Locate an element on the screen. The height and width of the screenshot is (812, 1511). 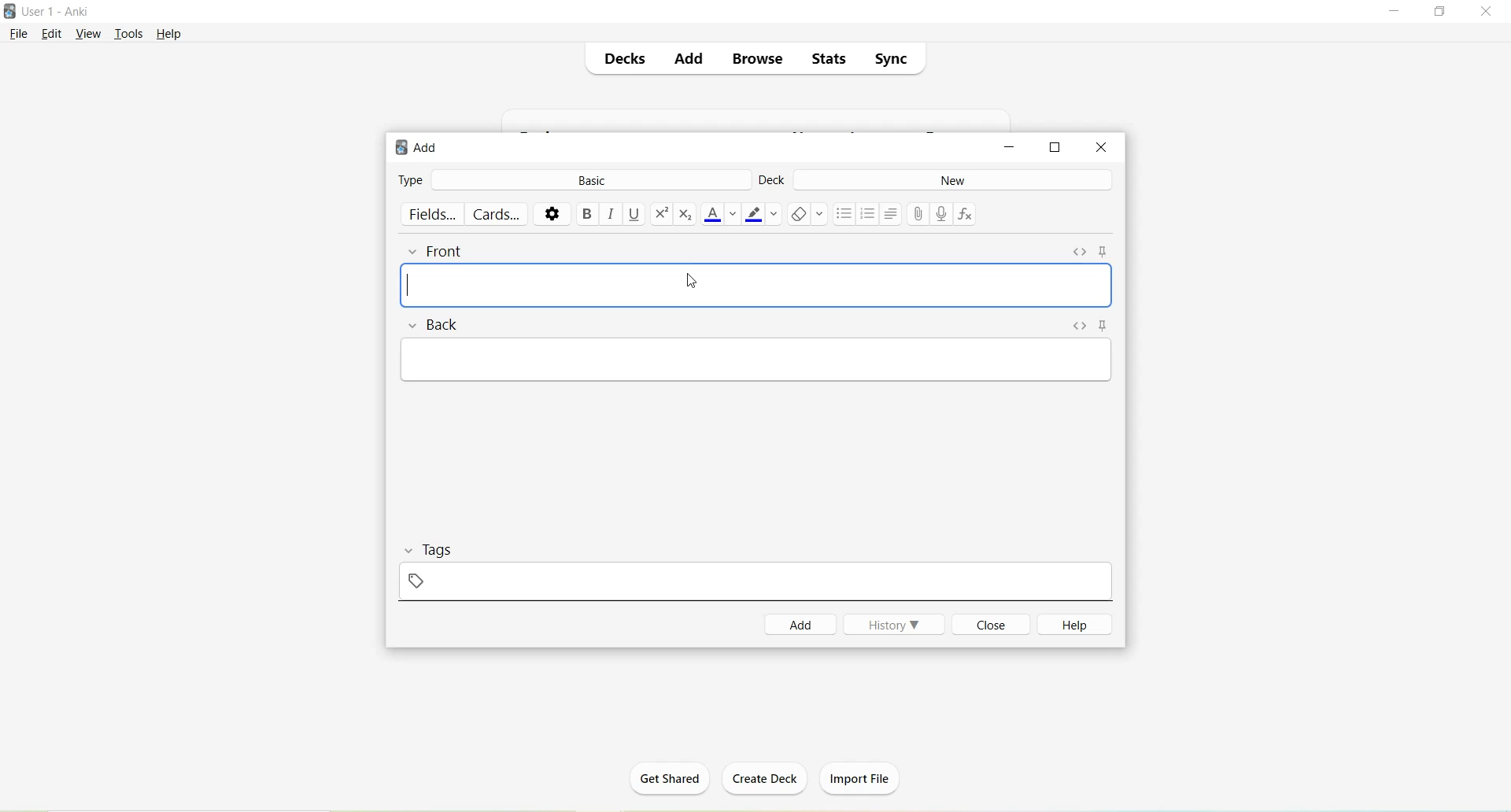
Maximize is located at coordinates (1055, 148).